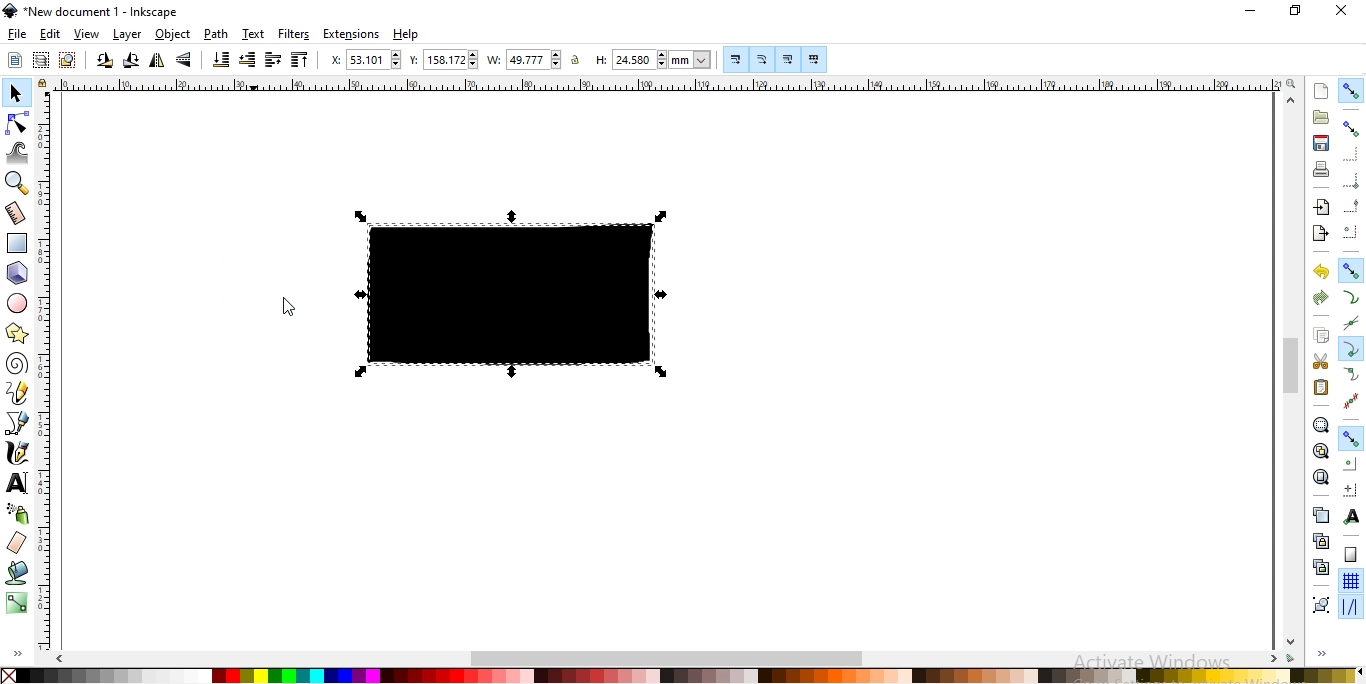 Image resolution: width=1366 pixels, height=684 pixels. What do you see at coordinates (19, 243) in the screenshot?
I see `create rectangles or squares` at bounding box center [19, 243].